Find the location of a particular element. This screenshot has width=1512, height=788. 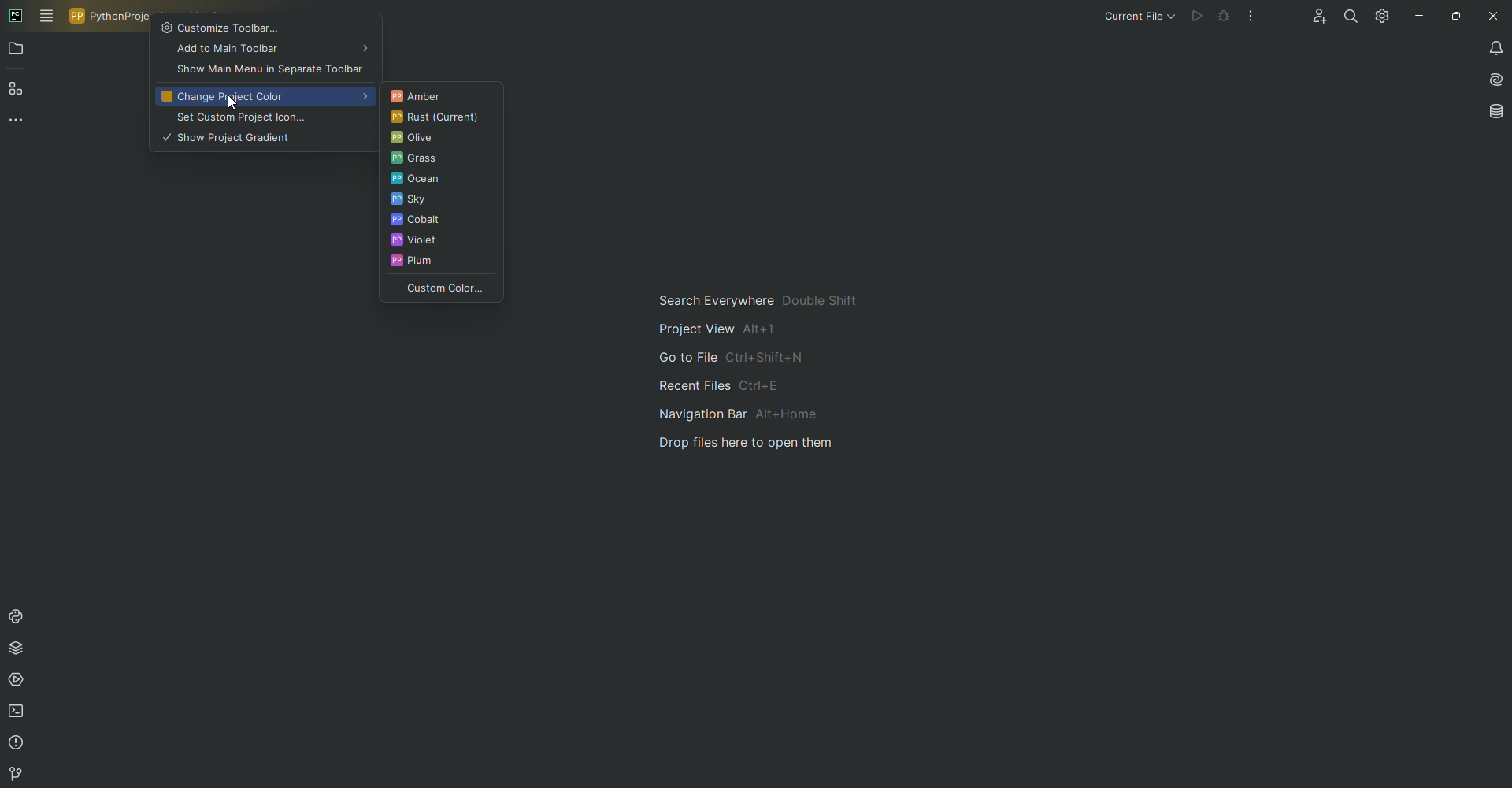

Setings is located at coordinates (1380, 16).